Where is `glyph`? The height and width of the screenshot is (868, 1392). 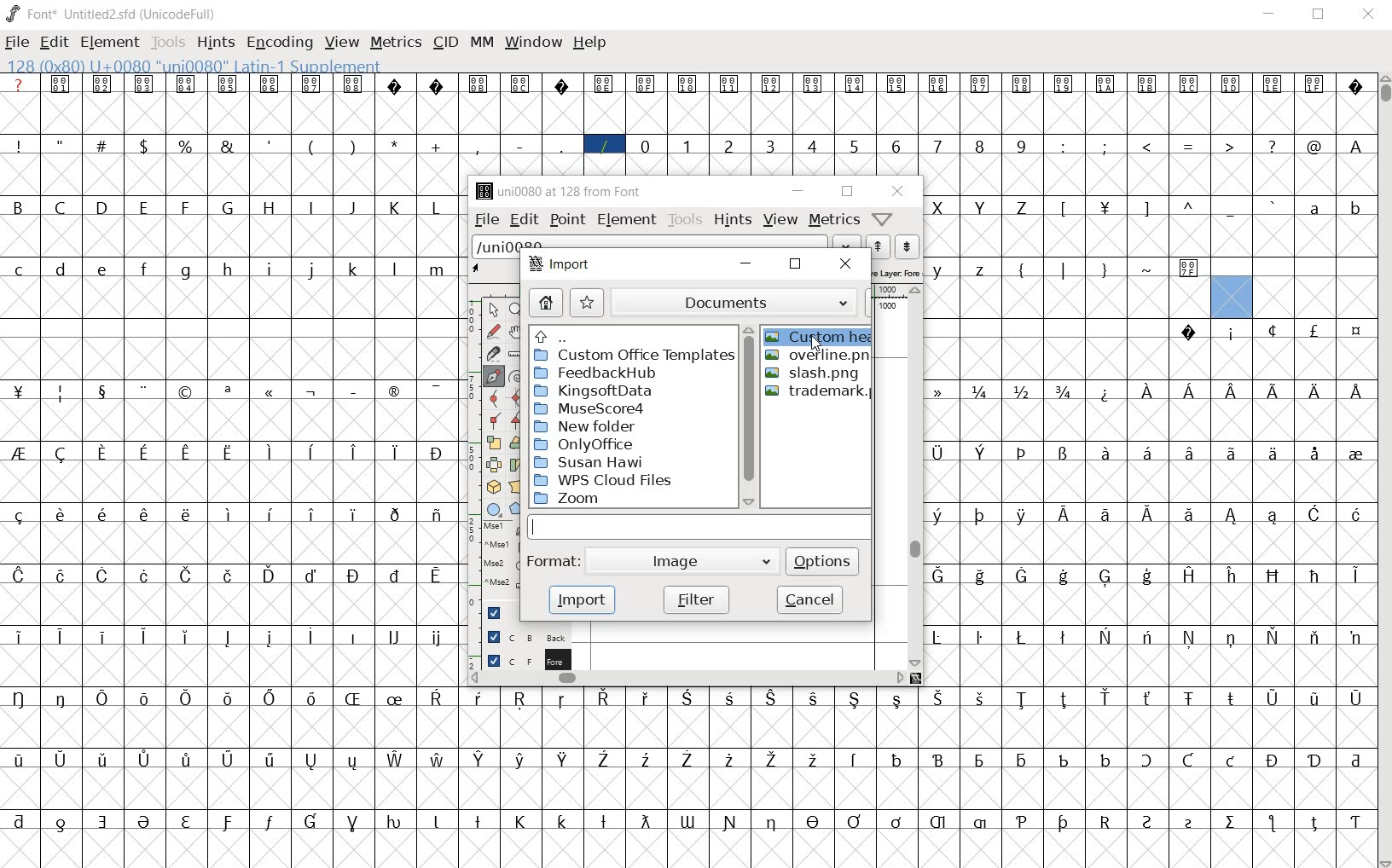
glyph is located at coordinates (438, 759).